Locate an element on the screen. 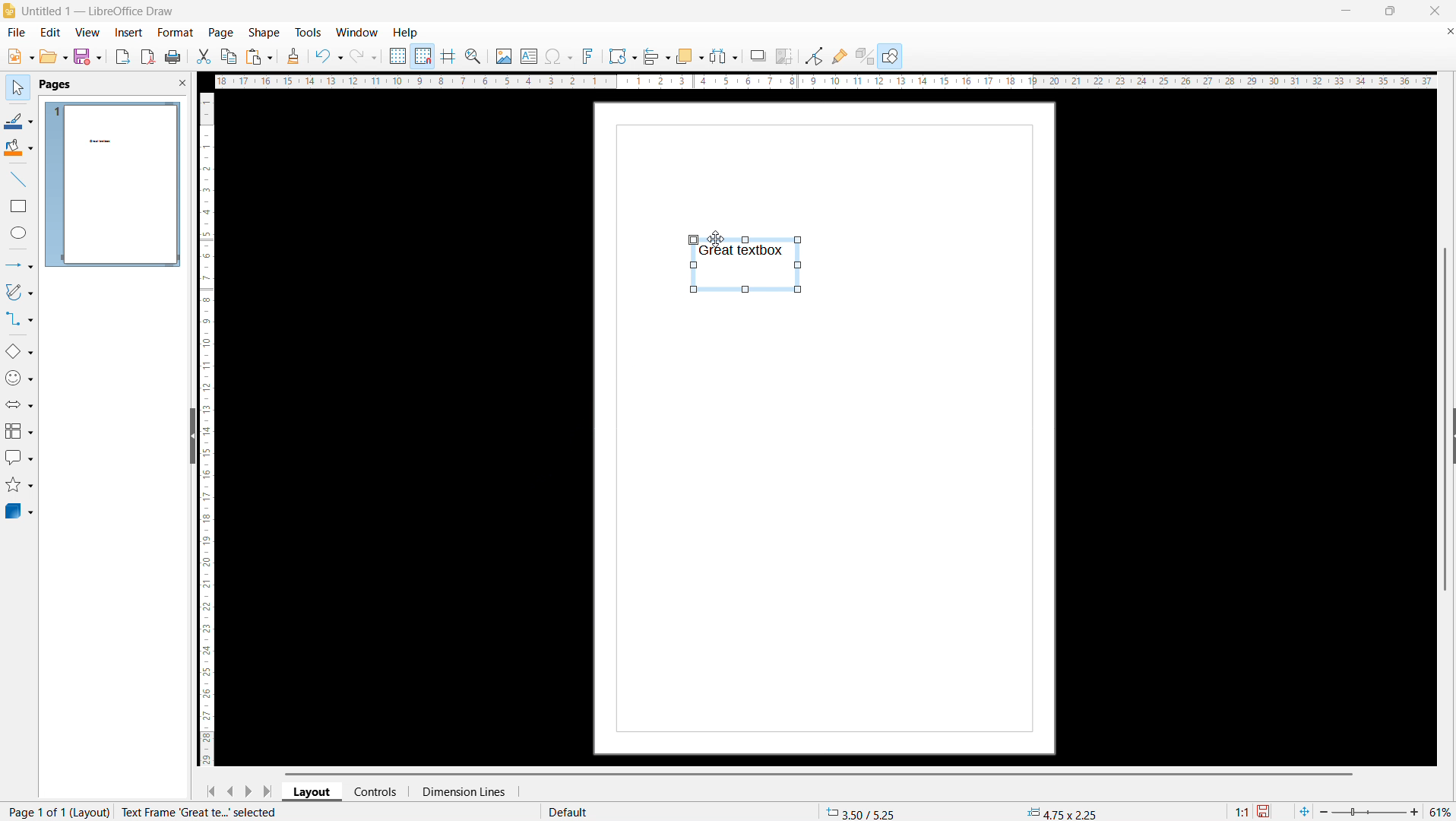 The height and width of the screenshot is (821, 1456). background color is located at coordinates (18, 148).